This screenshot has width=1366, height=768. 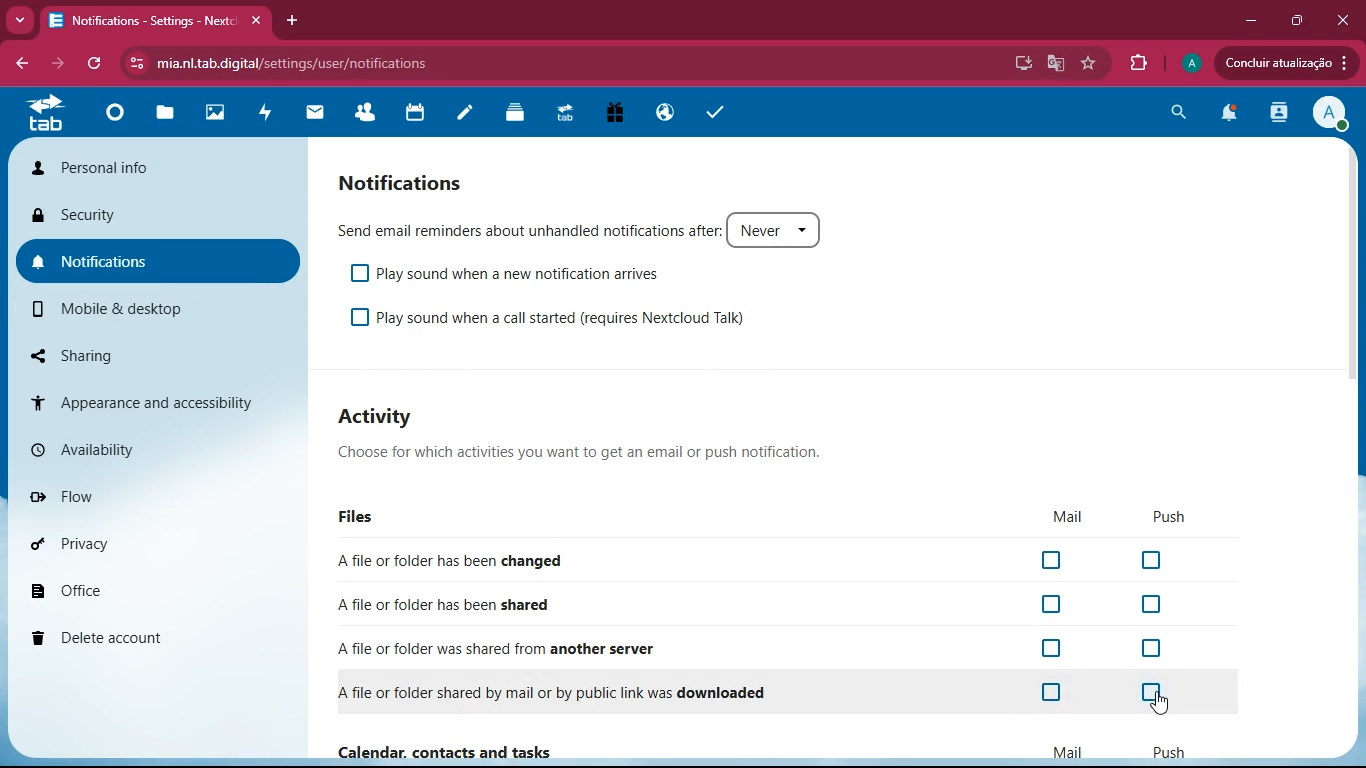 What do you see at coordinates (80, 349) in the screenshot?
I see `sharing` at bounding box center [80, 349].